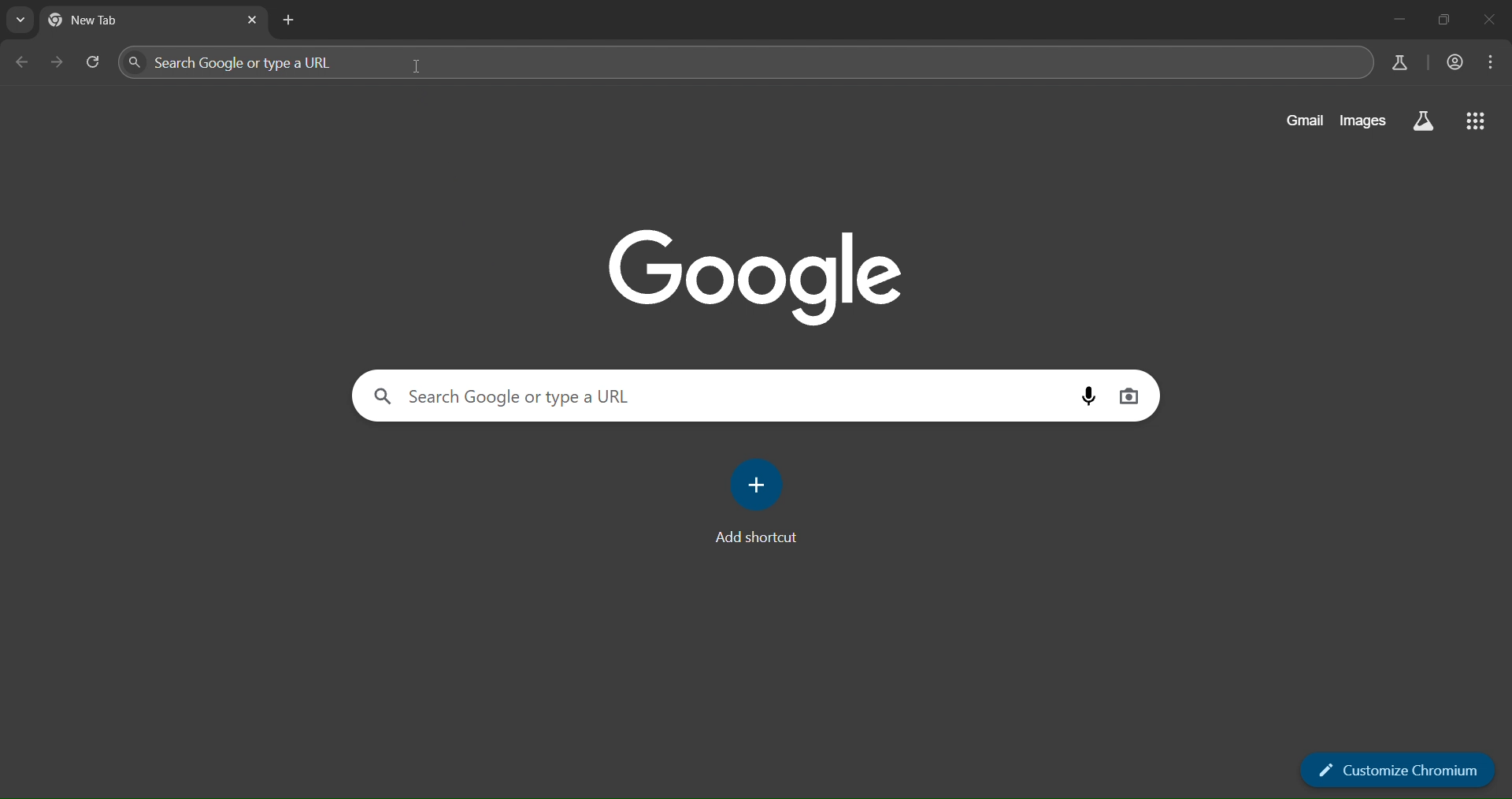 Image resolution: width=1512 pixels, height=799 pixels. Describe the element at coordinates (20, 21) in the screenshot. I see `search tab` at that location.